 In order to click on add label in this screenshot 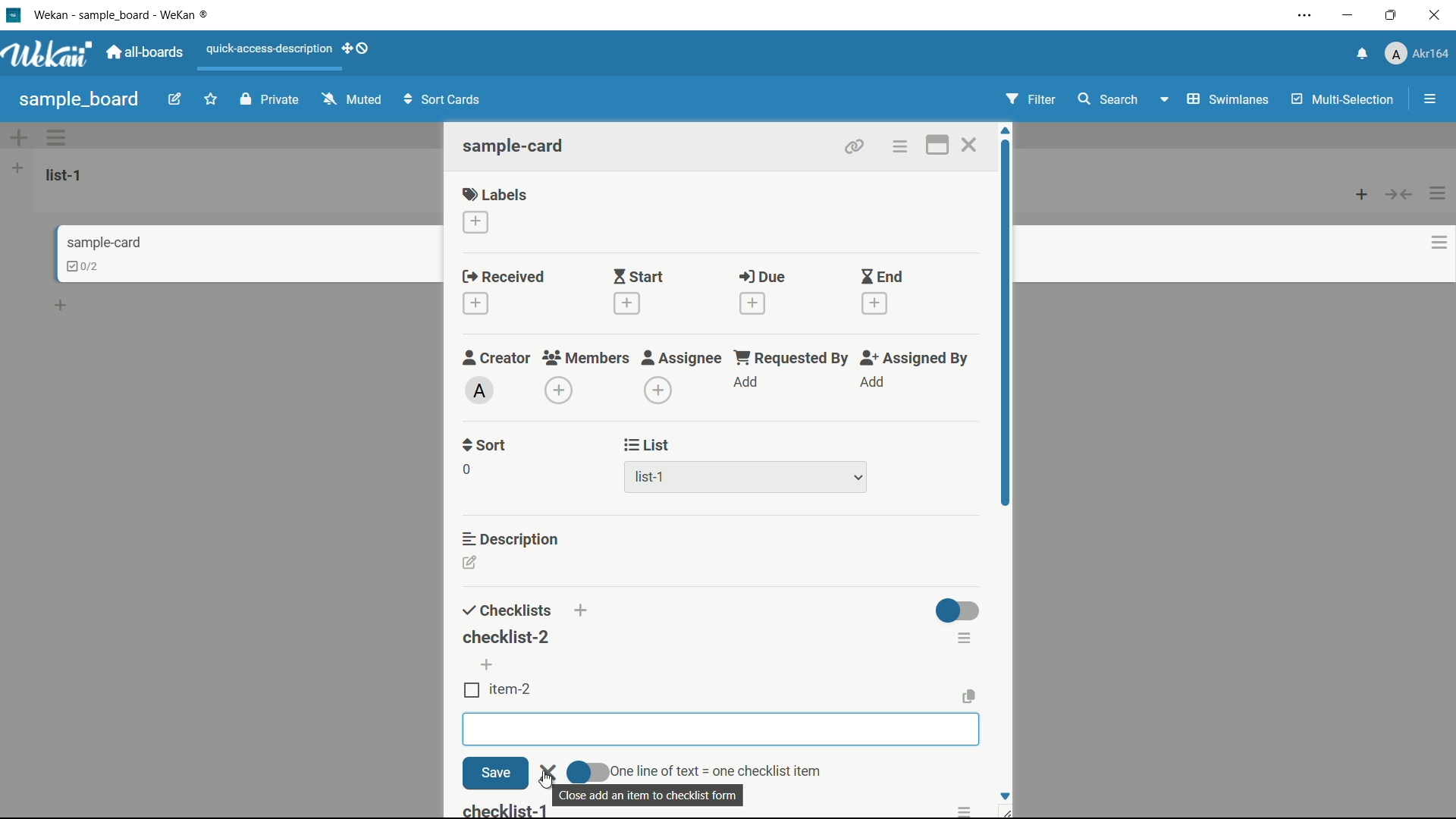, I will do `click(477, 223)`.